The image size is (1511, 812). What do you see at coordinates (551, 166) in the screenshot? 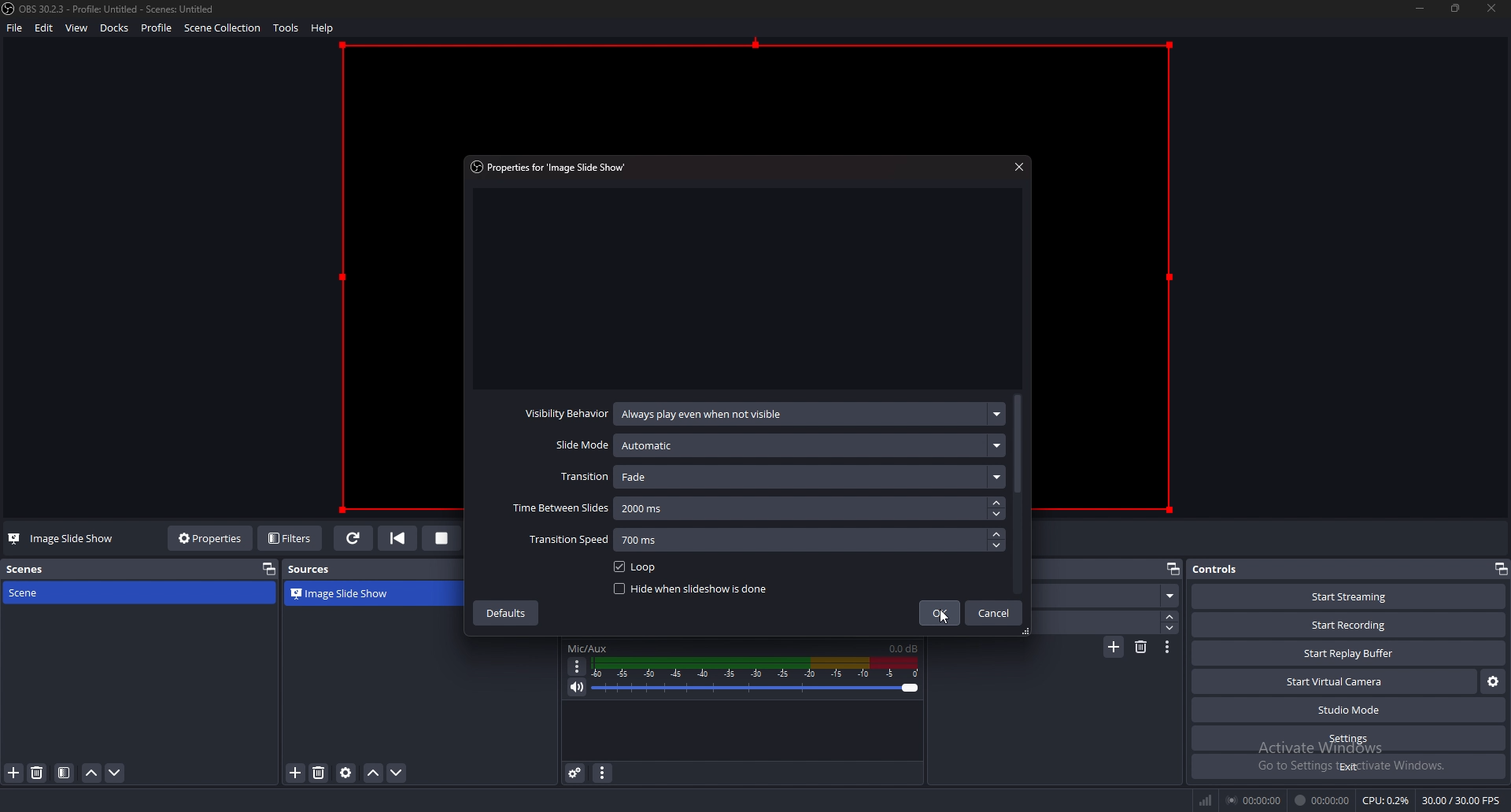
I see `properties` at bounding box center [551, 166].